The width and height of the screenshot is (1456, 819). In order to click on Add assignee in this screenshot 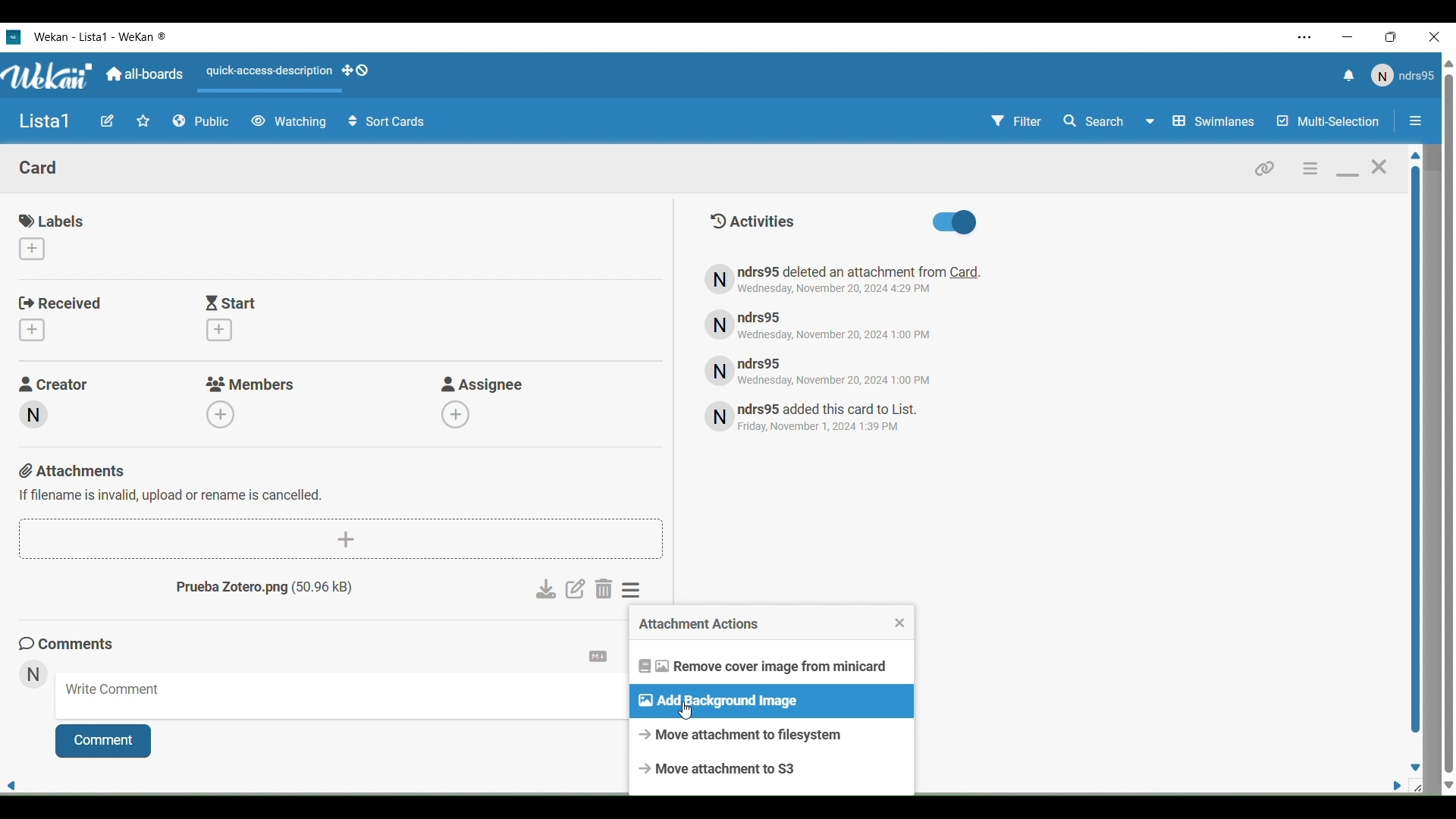, I will do `click(460, 414)`.